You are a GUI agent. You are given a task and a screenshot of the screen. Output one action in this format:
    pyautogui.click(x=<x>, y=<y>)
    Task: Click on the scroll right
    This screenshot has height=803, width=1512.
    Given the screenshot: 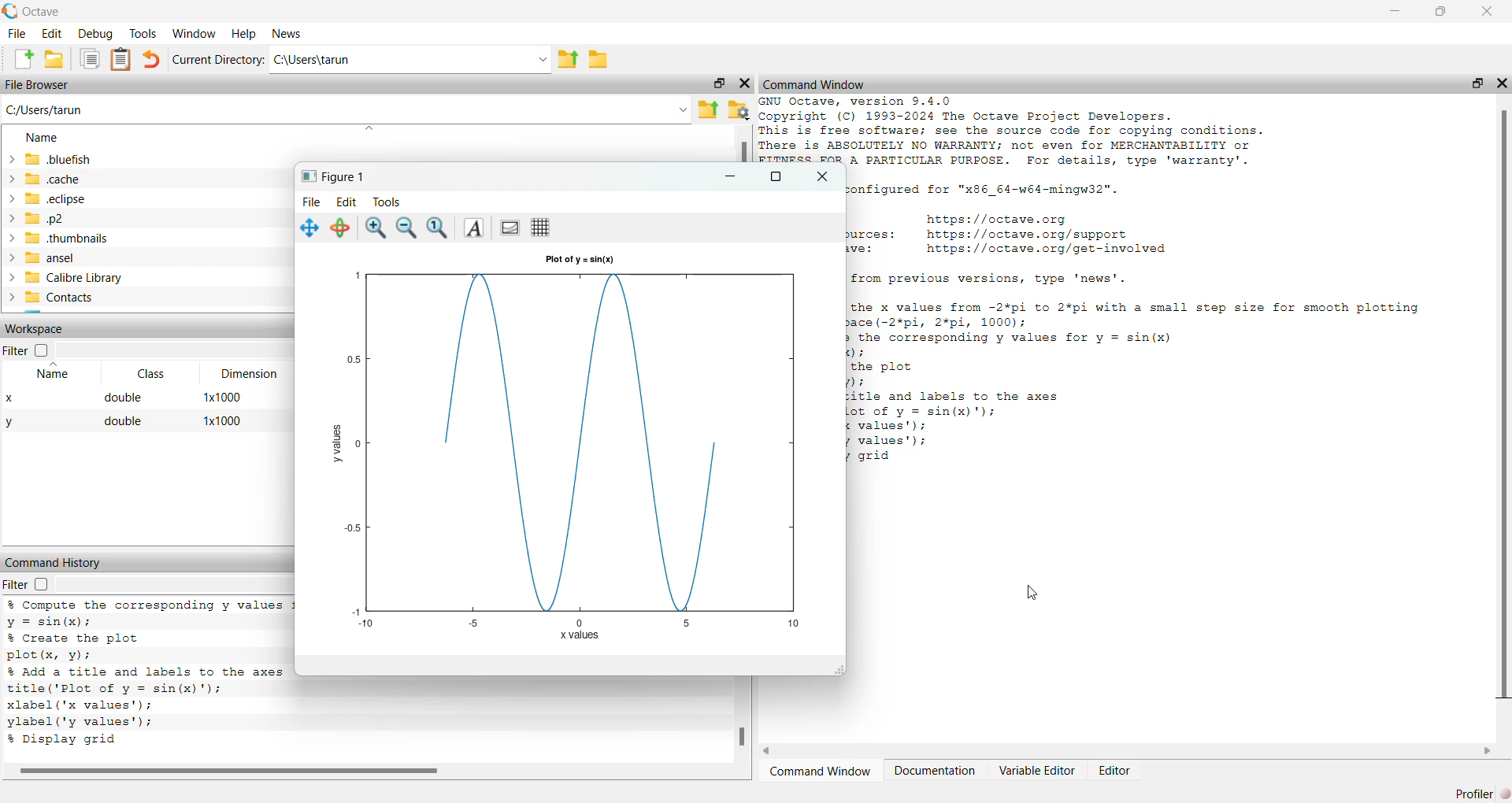 What is the action you would take?
    pyautogui.click(x=1487, y=751)
    